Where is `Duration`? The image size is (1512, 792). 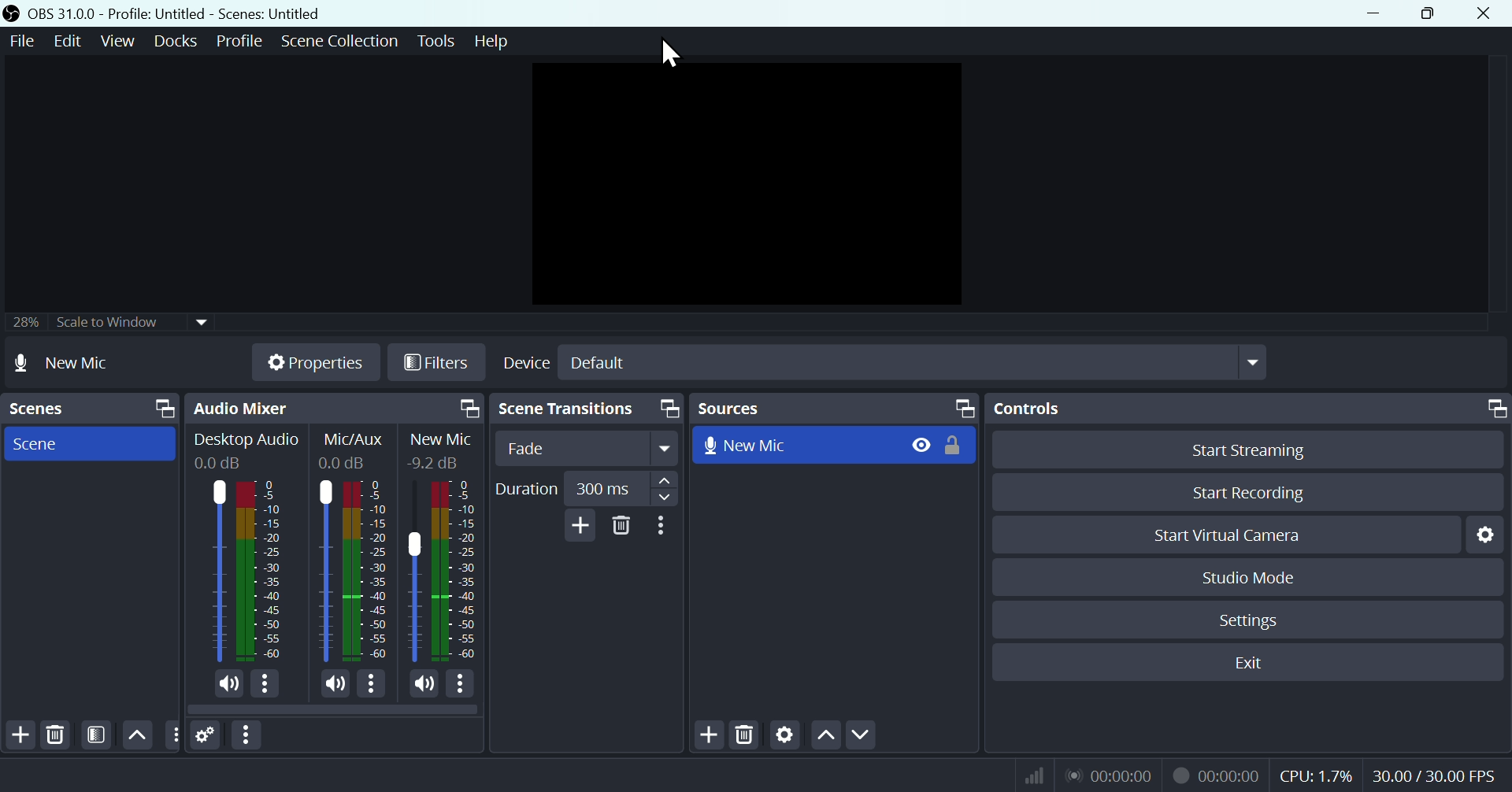 Duration is located at coordinates (584, 489).